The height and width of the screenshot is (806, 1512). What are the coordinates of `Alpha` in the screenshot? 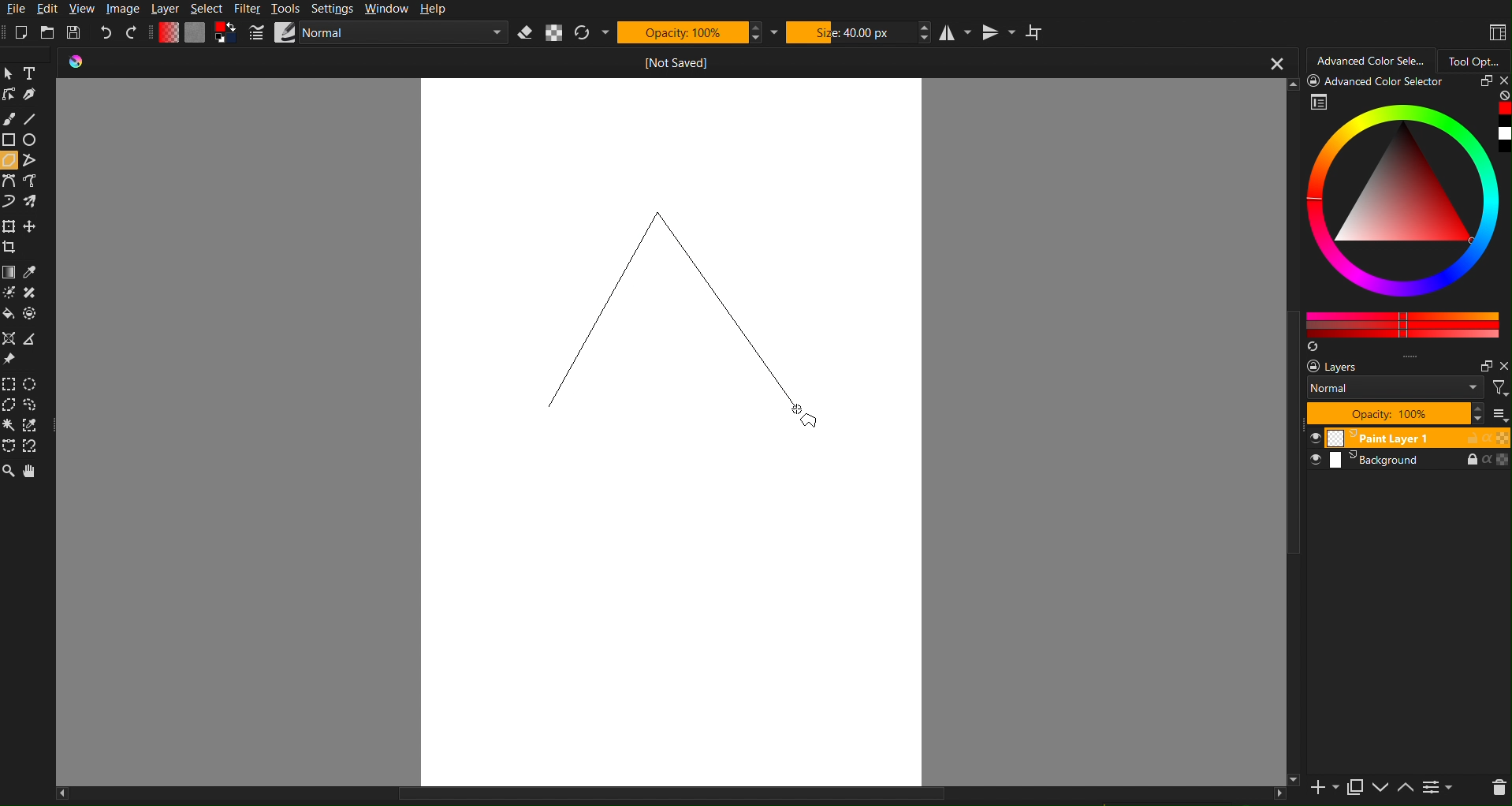 It's located at (554, 33).